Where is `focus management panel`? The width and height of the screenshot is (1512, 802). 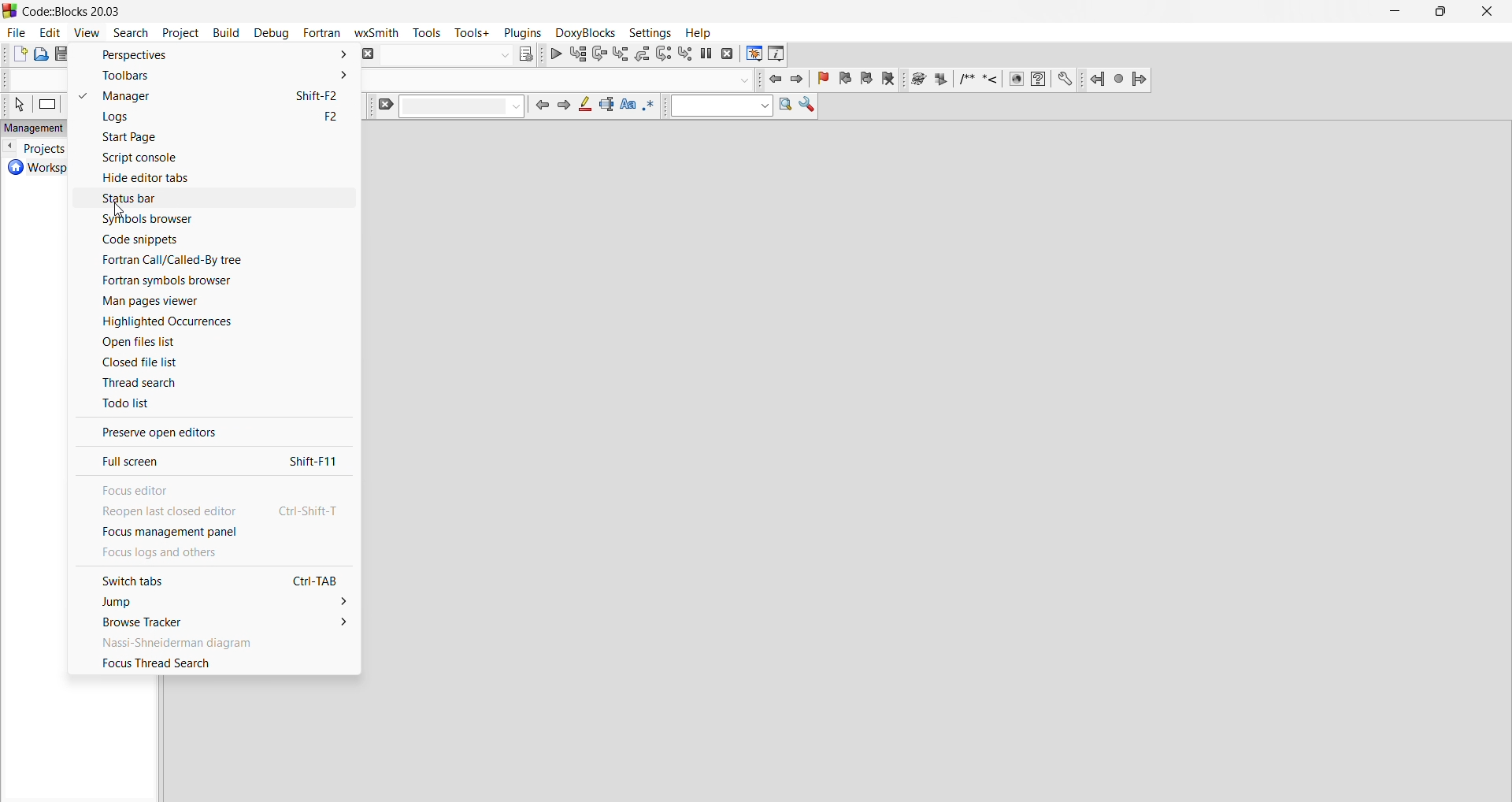 focus management panel is located at coordinates (213, 533).